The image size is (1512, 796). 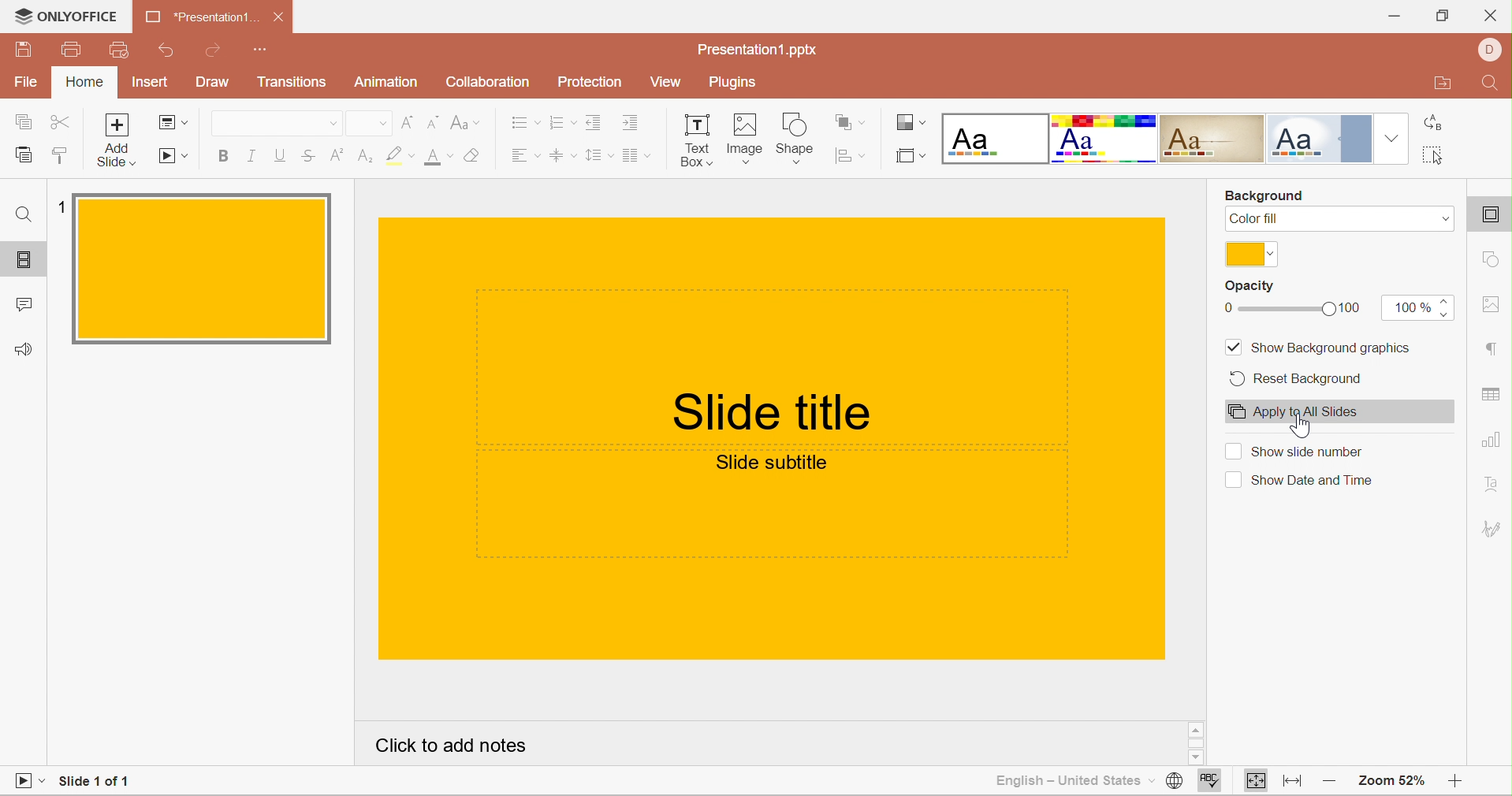 I want to click on Bullets, so click(x=526, y=121).